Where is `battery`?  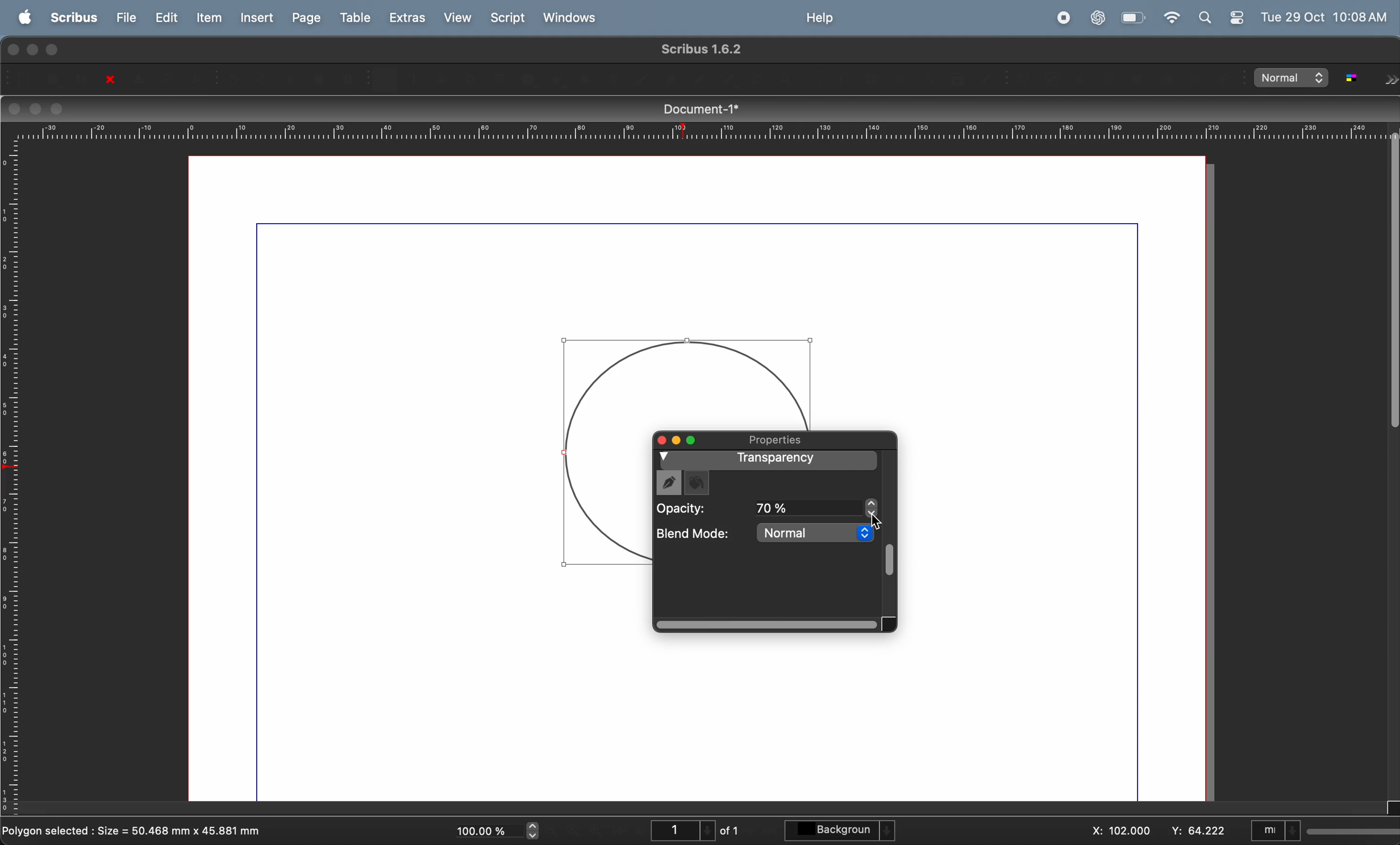
battery is located at coordinates (1132, 17).